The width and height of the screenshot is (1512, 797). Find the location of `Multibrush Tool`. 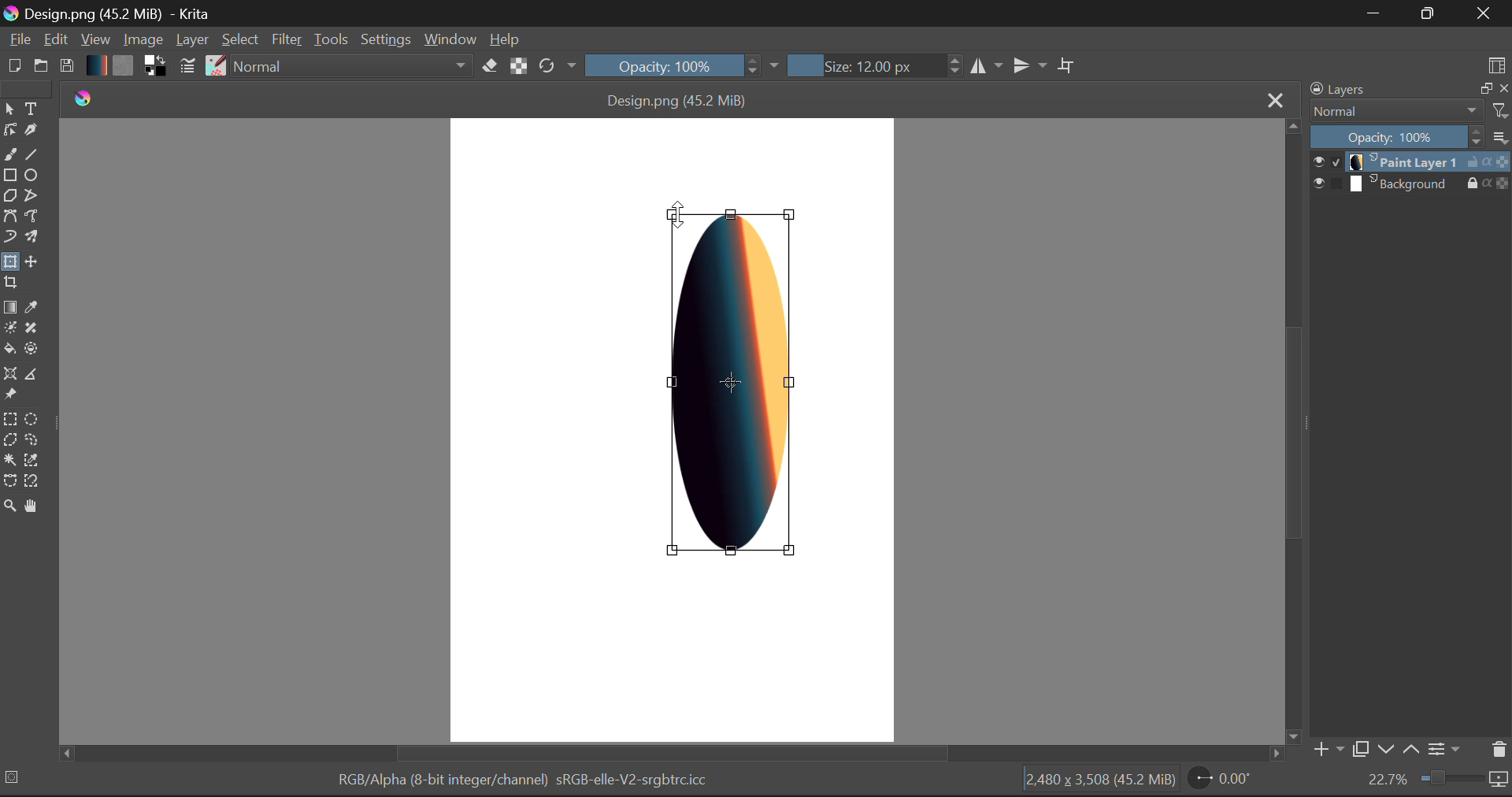

Multibrush Tool is located at coordinates (30, 237).